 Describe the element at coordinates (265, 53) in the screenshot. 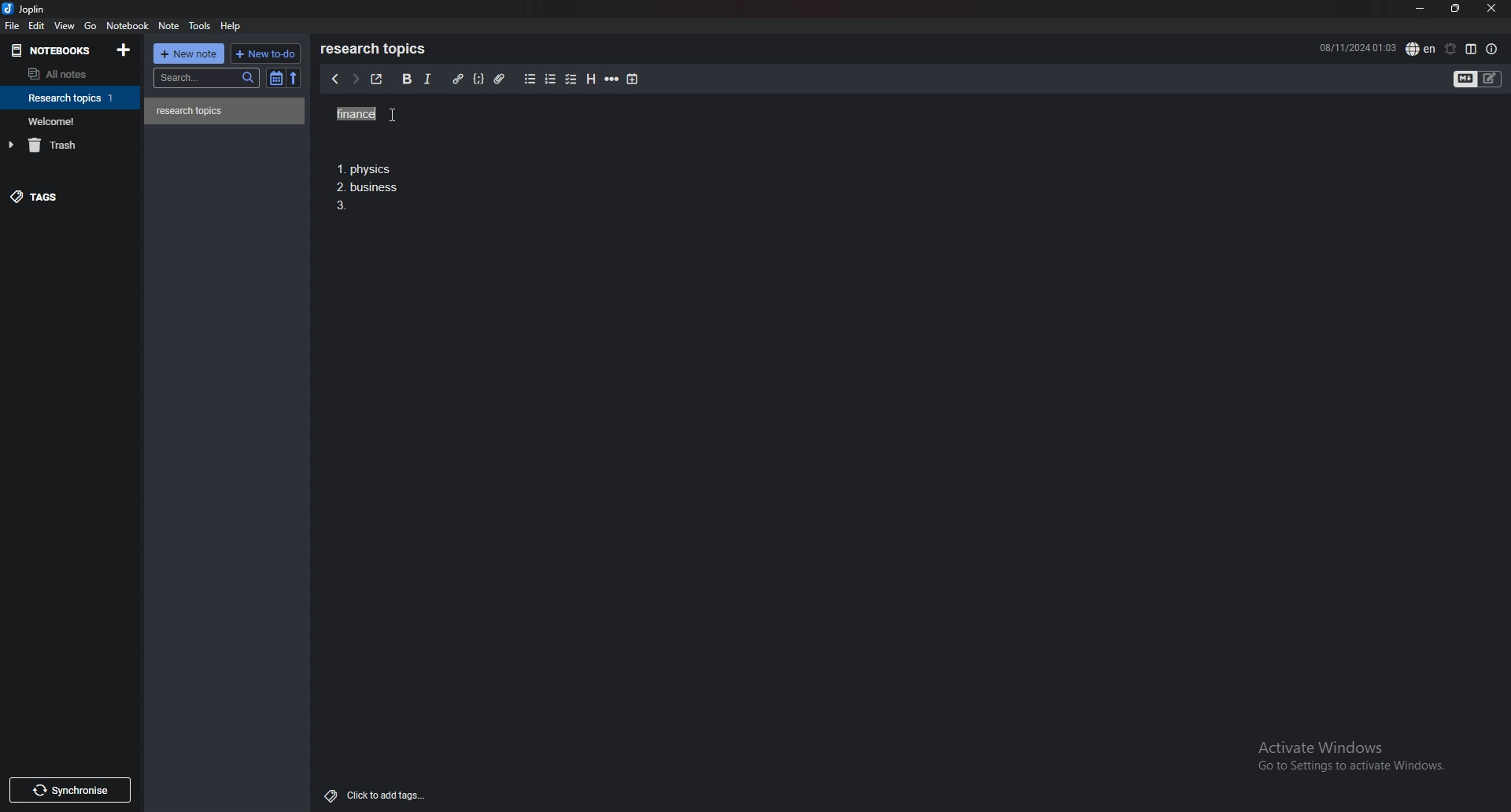

I see `new todo` at that location.